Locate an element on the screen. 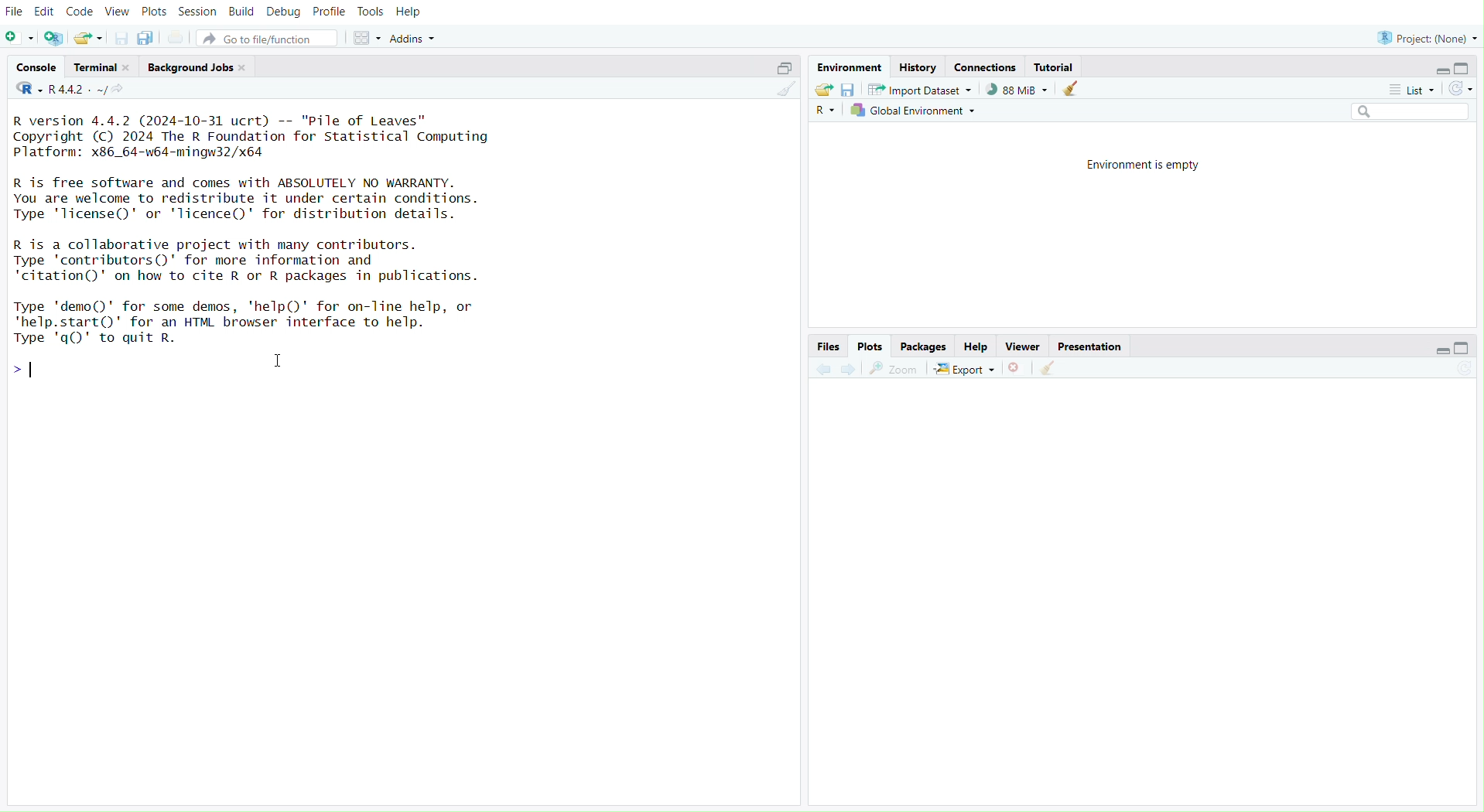 The image size is (1484, 812). Open an existing file (Ctrl + O) is located at coordinates (87, 38).